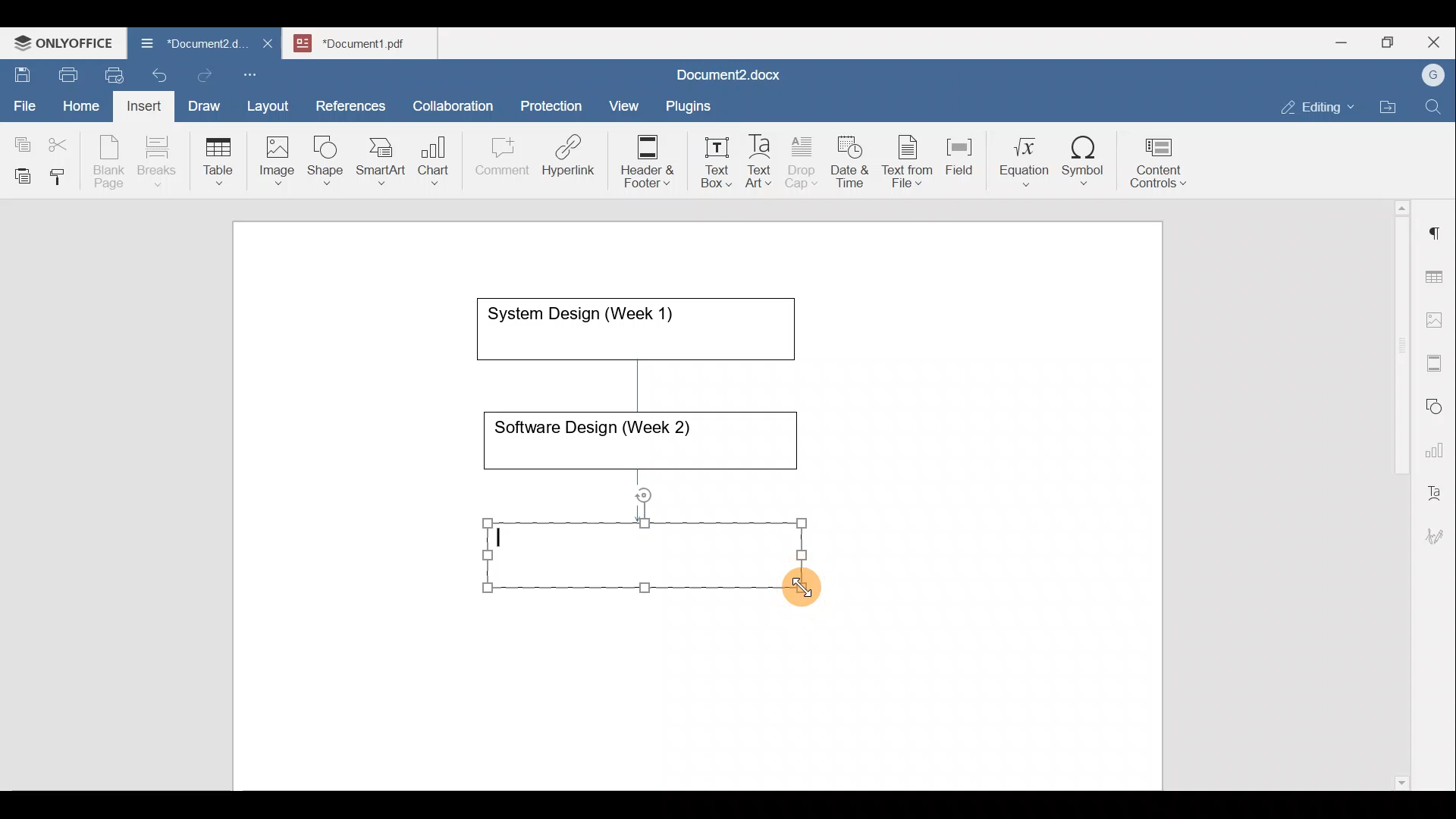 The height and width of the screenshot is (819, 1456). Describe the element at coordinates (625, 101) in the screenshot. I see `View` at that location.